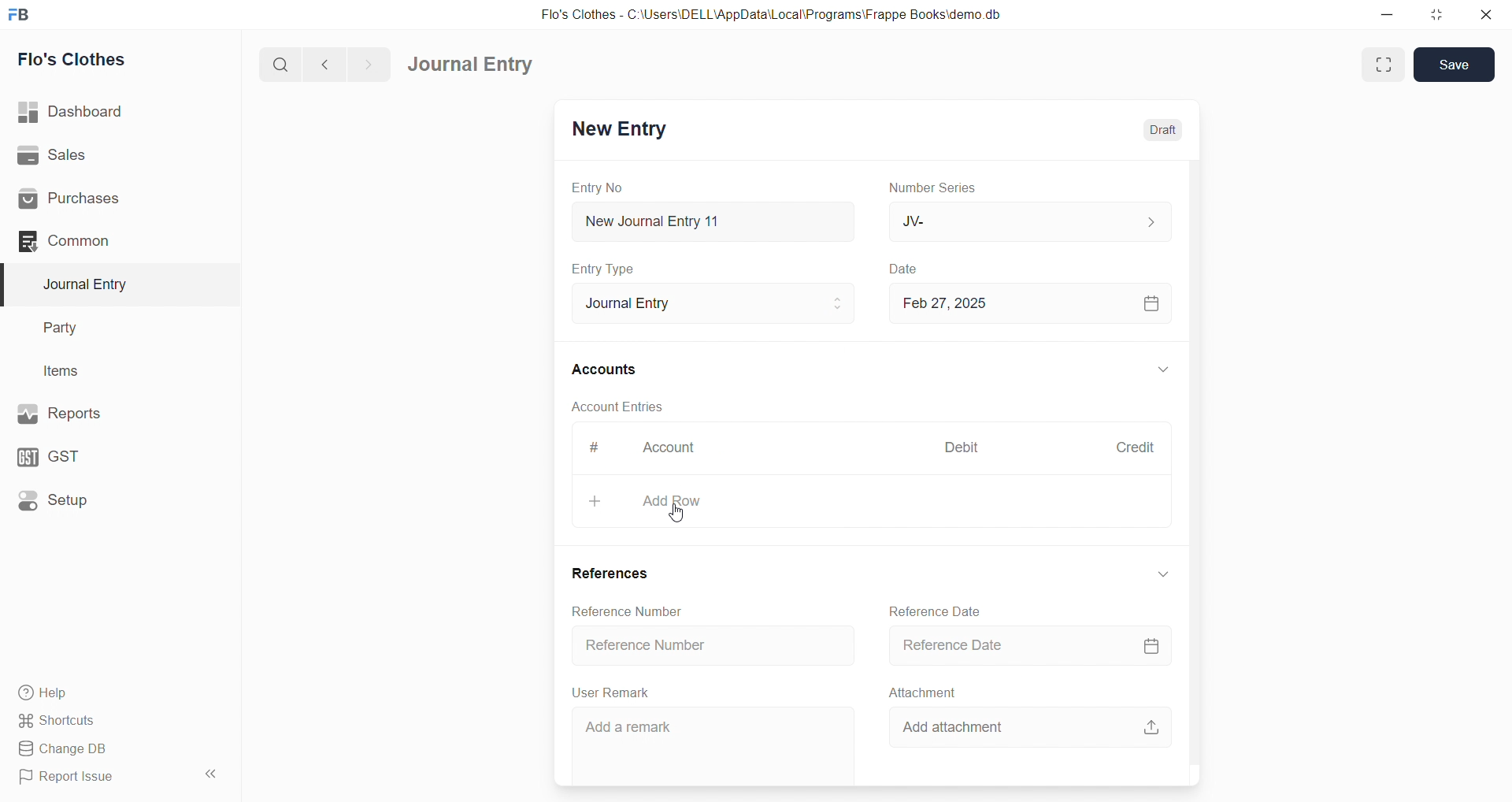 This screenshot has width=1512, height=802. I want to click on EXPAND/COLLAPSE, so click(1162, 369).